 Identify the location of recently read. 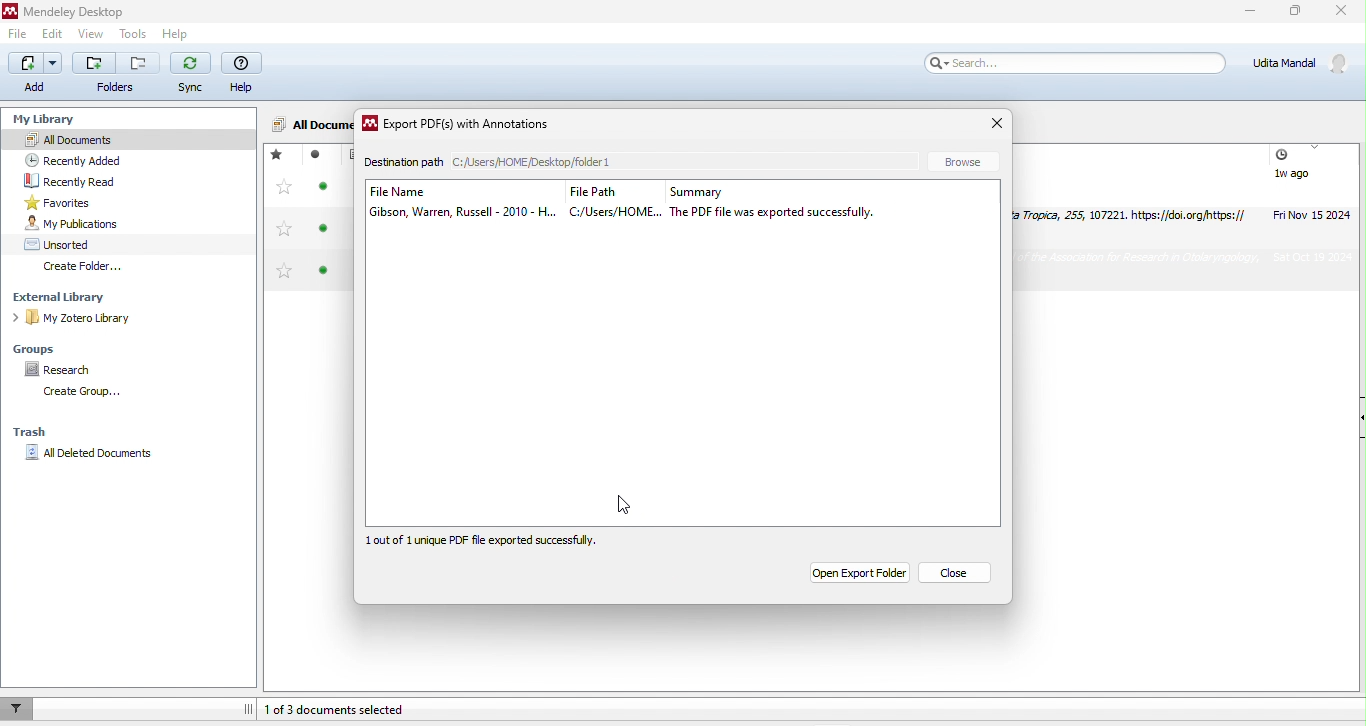
(88, 179).